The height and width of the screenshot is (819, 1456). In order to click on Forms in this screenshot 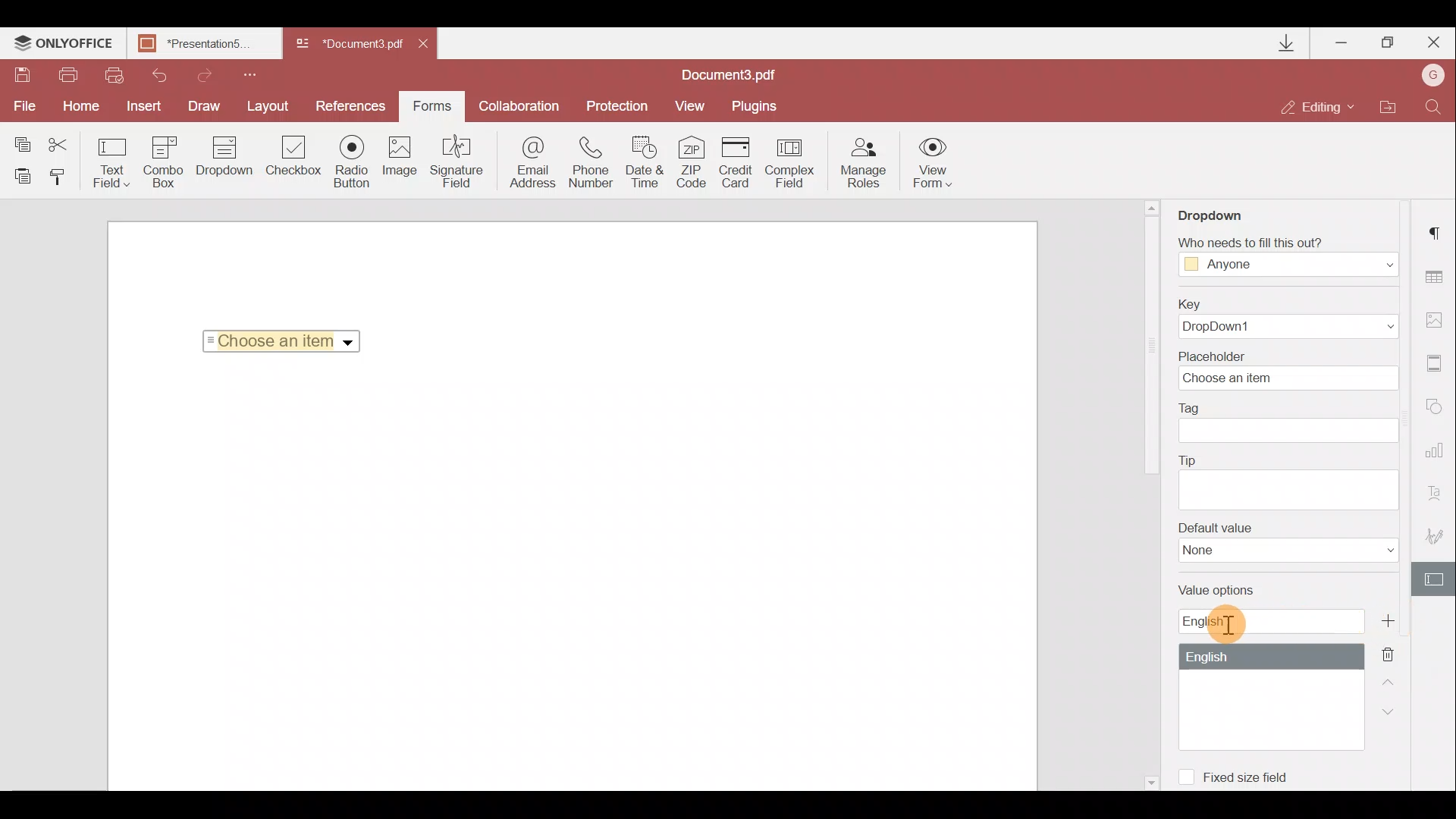, I will do `click(431, 101)`.